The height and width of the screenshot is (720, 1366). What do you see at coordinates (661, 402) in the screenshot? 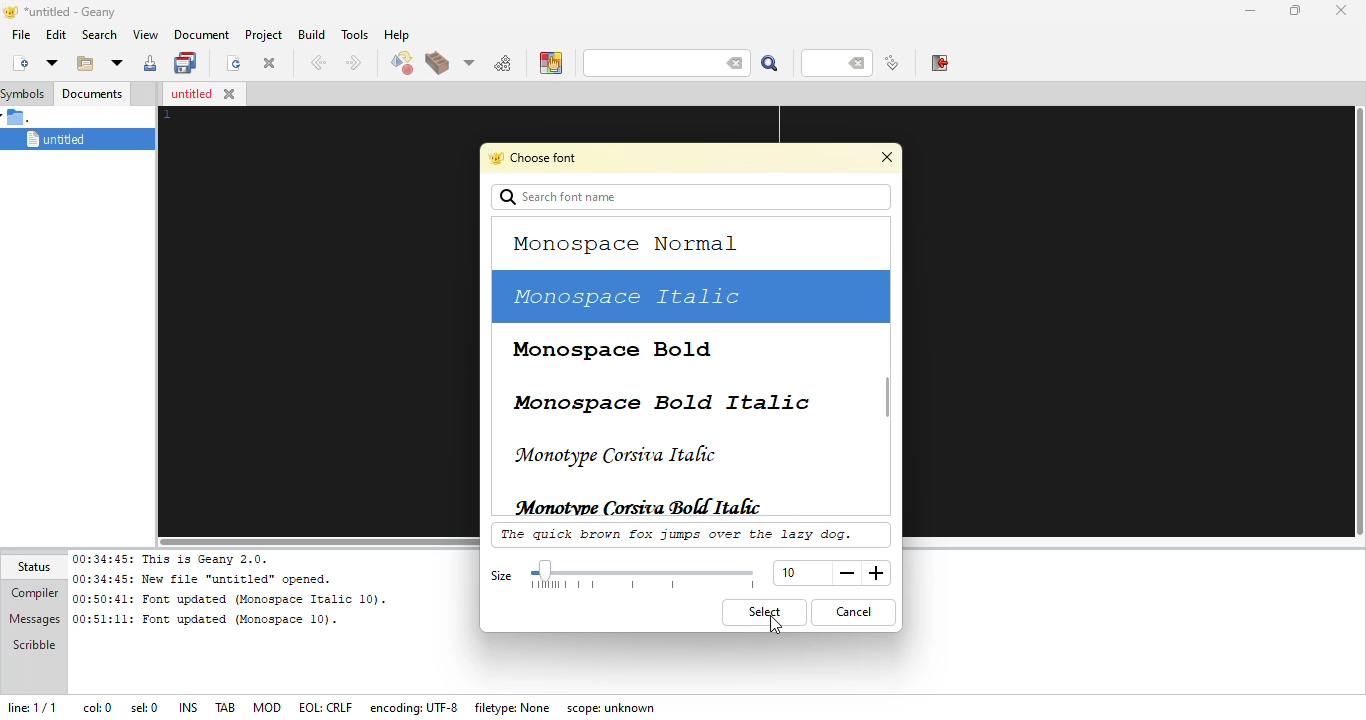
I see `monospace bold italic` at bounding box center [661, 402].